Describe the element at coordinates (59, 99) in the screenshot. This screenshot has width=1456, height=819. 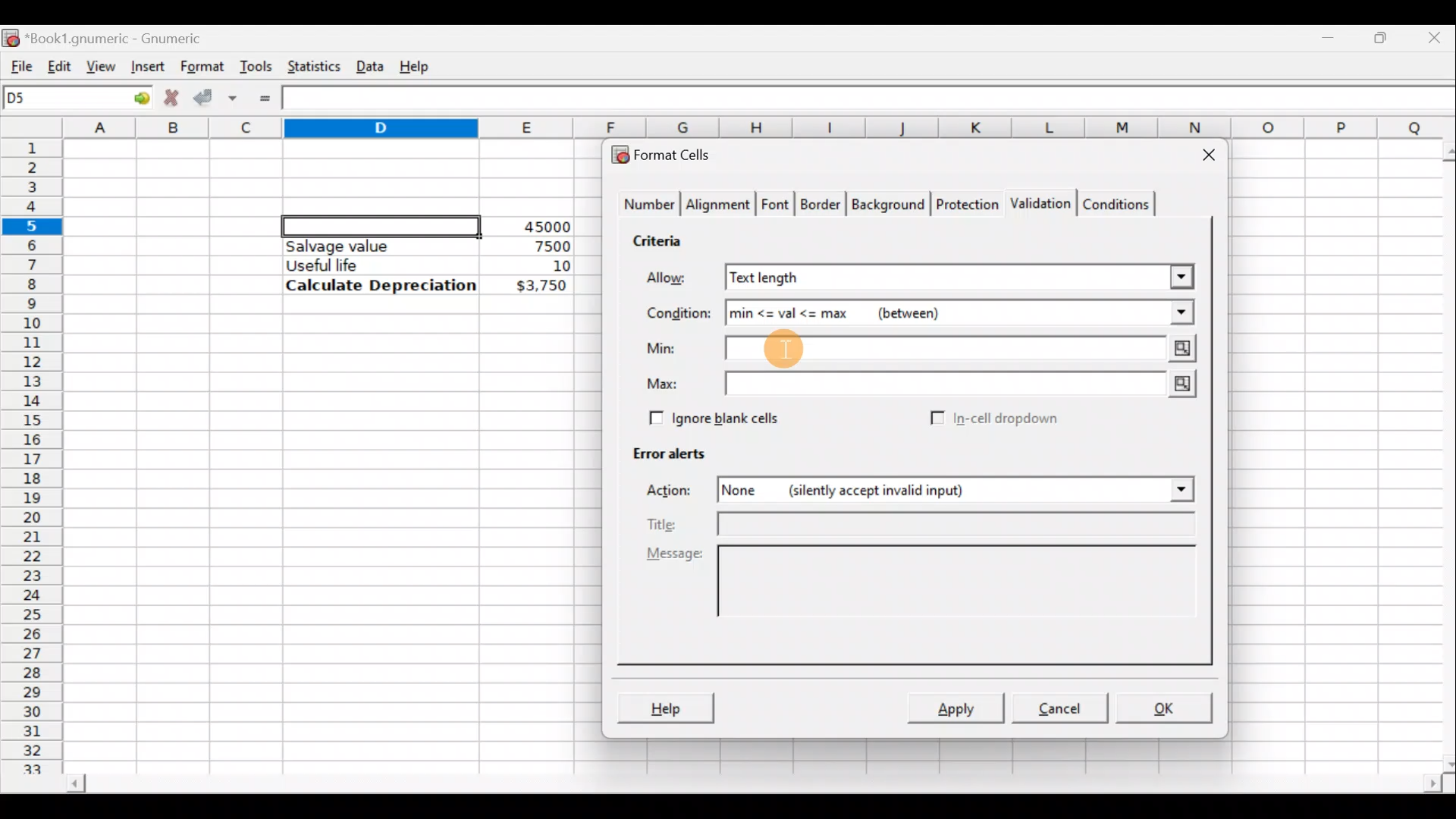
I see `Cell name D5` at that location.